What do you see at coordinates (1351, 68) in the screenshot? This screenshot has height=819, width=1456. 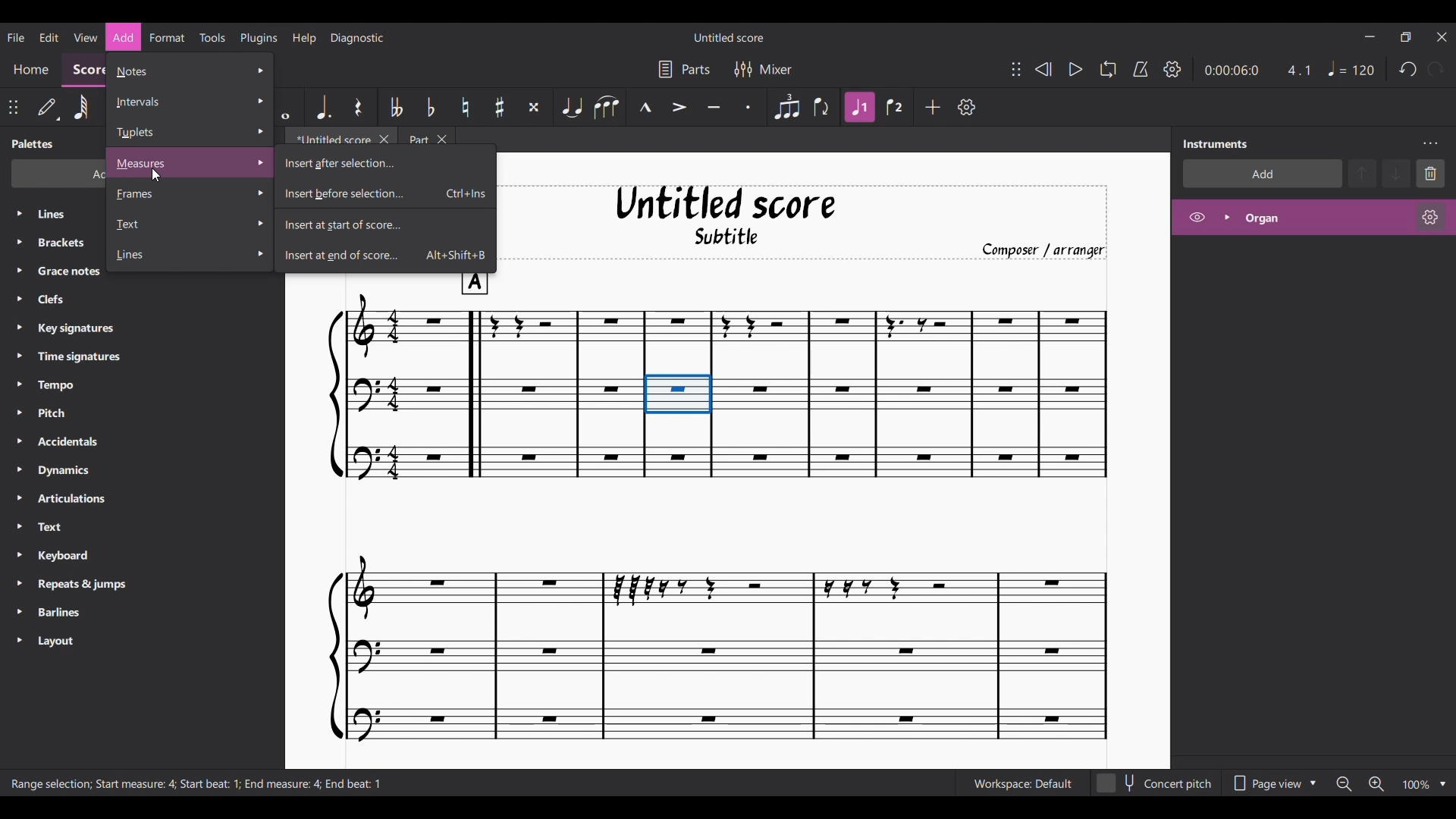 I see `Quarter note` at bounding box center [1351, 68].